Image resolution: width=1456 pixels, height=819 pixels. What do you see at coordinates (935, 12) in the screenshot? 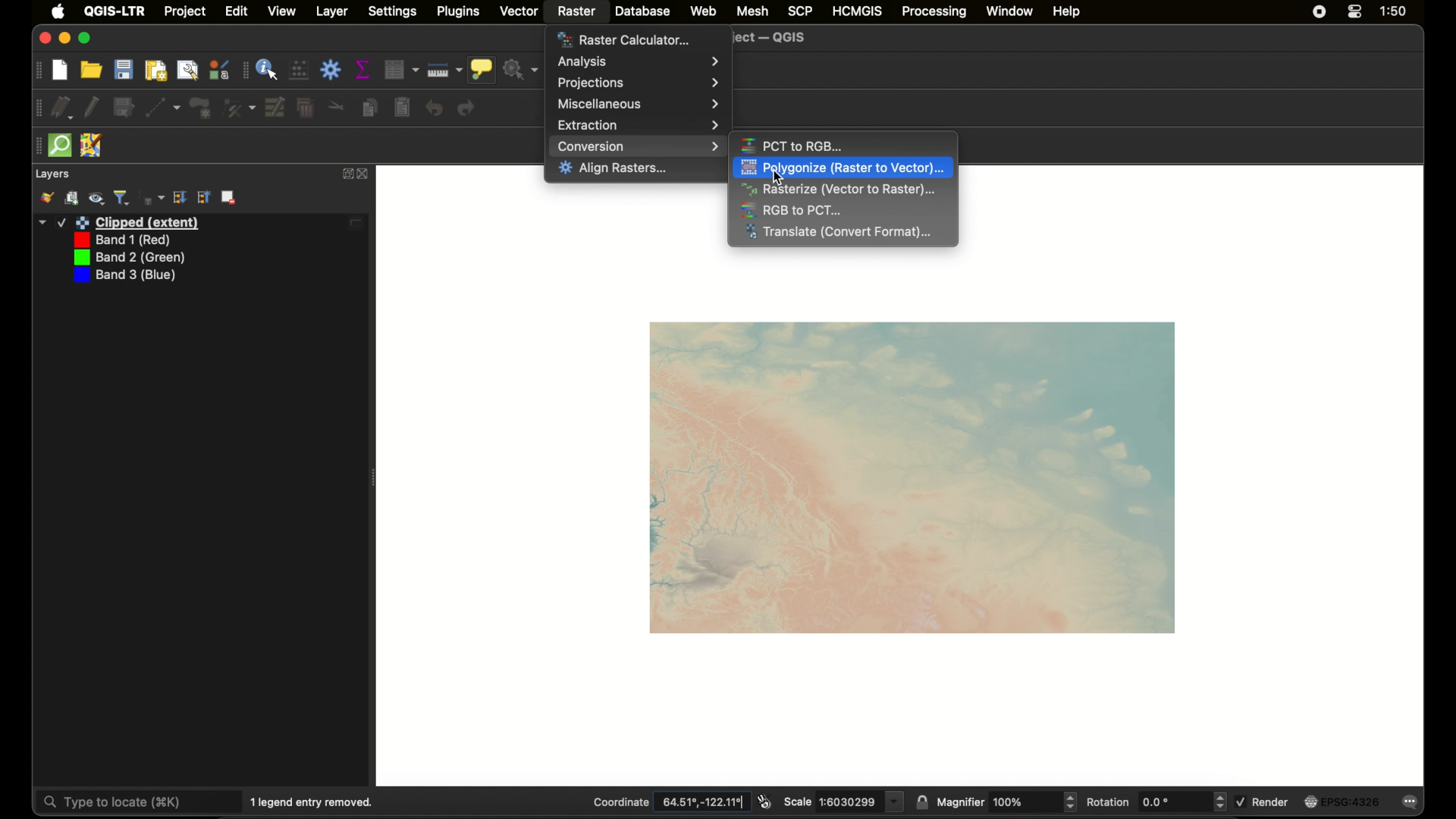
I see `processing` at bounding box center [935, 12].